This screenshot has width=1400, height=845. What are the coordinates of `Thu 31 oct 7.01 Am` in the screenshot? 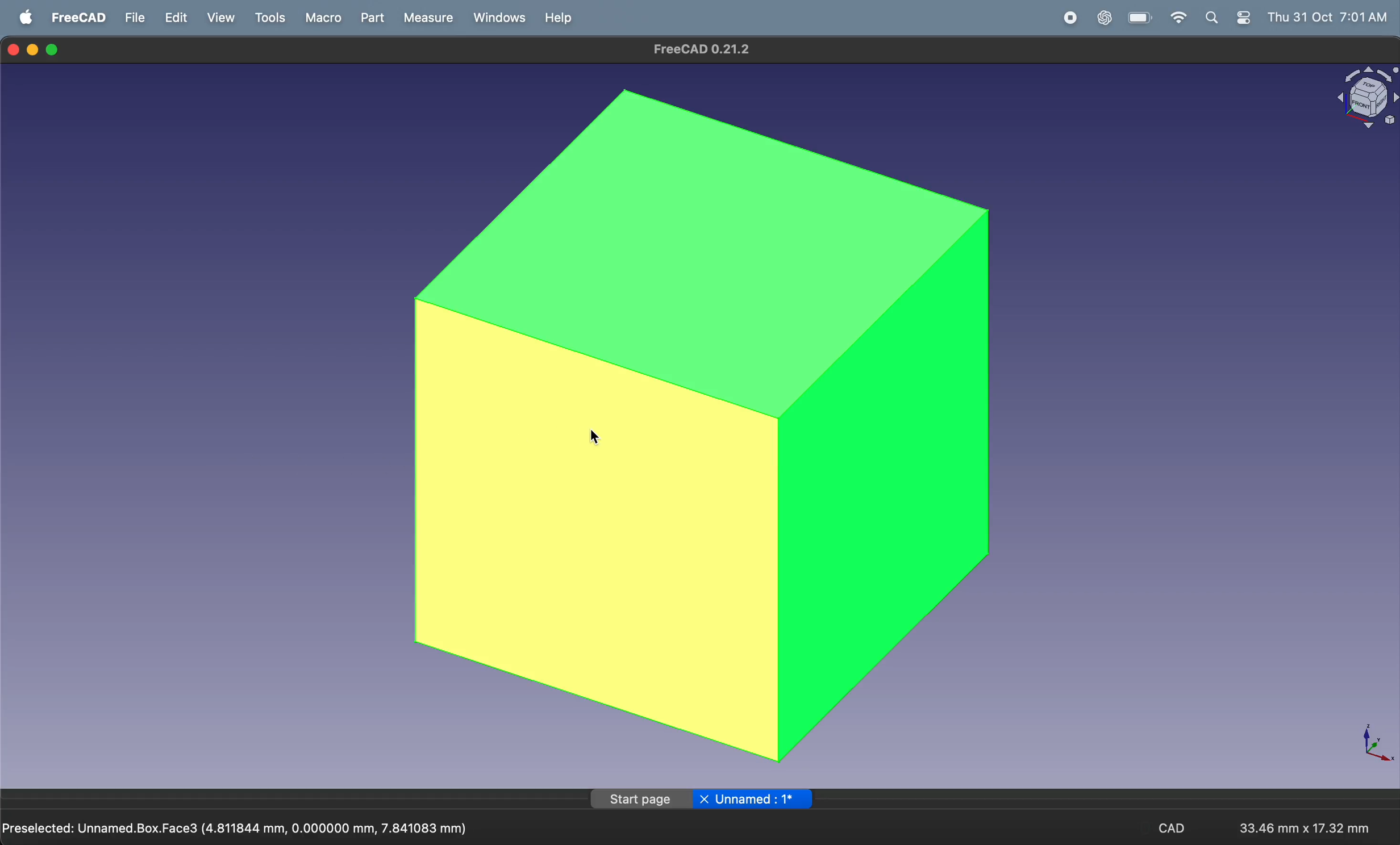 It's located at (1334, 18).